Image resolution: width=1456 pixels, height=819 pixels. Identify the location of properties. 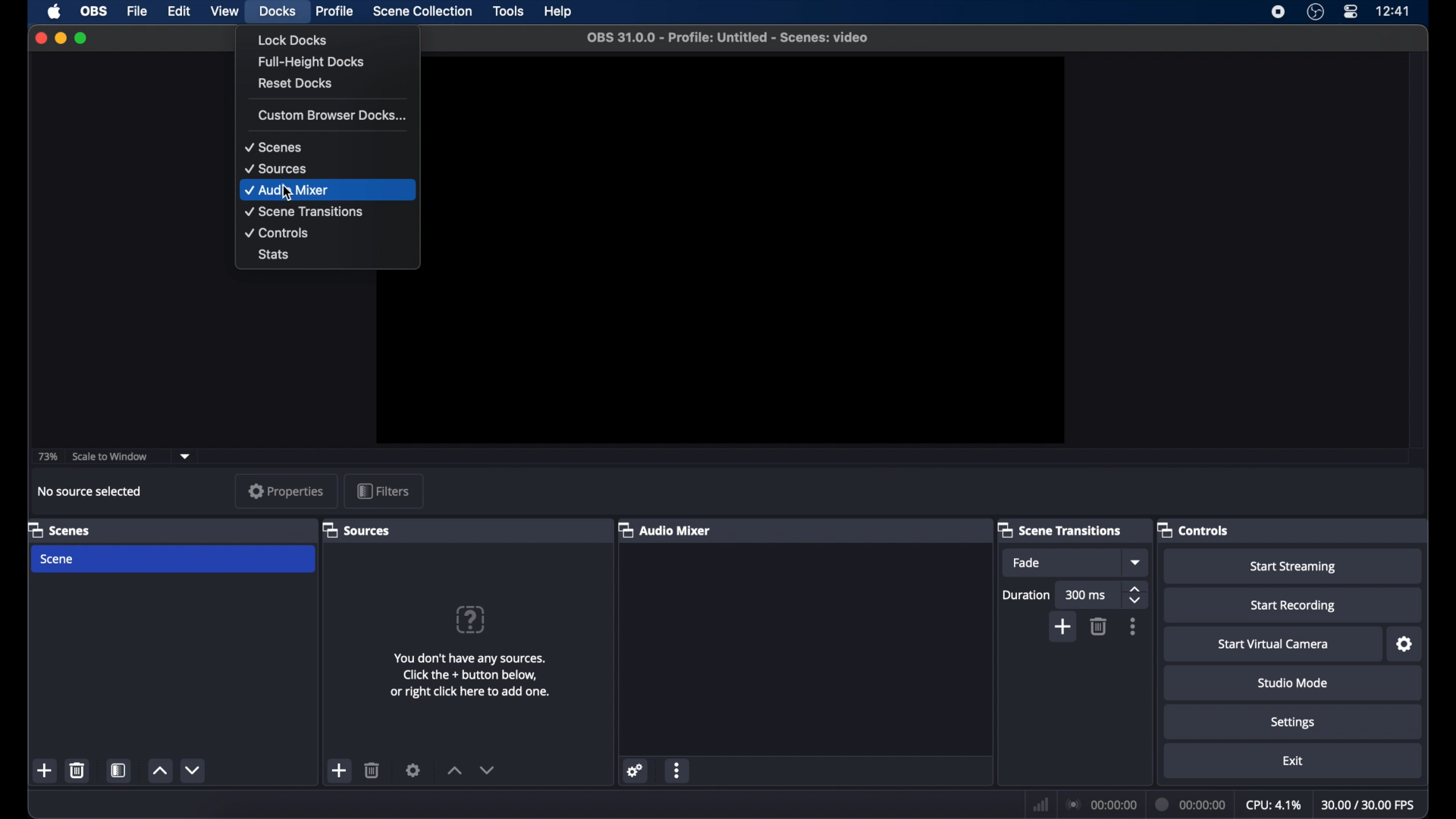
(287, 491).